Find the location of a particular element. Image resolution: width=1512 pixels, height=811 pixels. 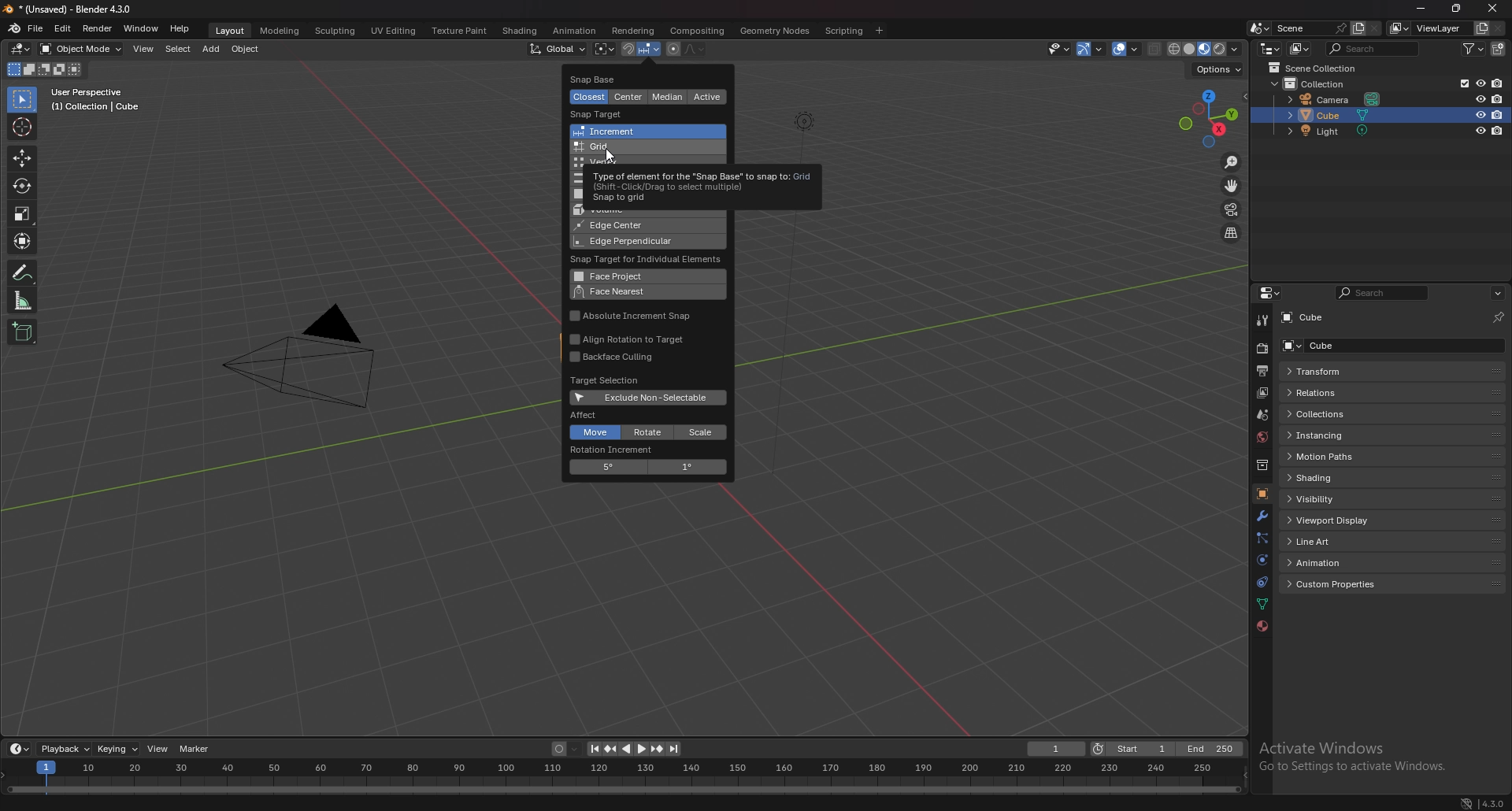

browse scene is located at coordinates (1260, 28).